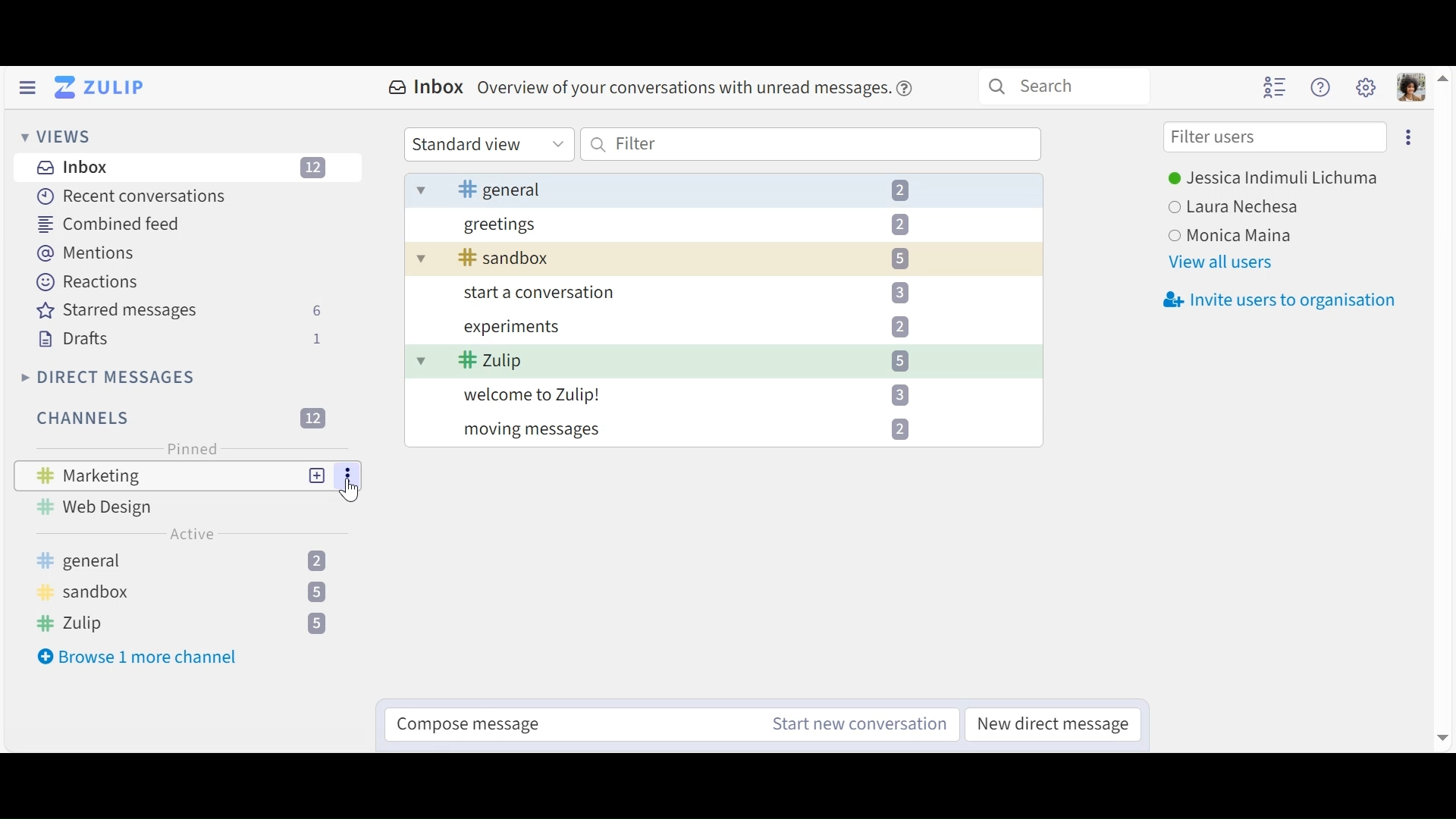 The height and width of the screenshot is (819, 1456). What do you see at coordinates (96, 475) in the screenshot?
I see `Marketing` at bounding box center [96, 475].